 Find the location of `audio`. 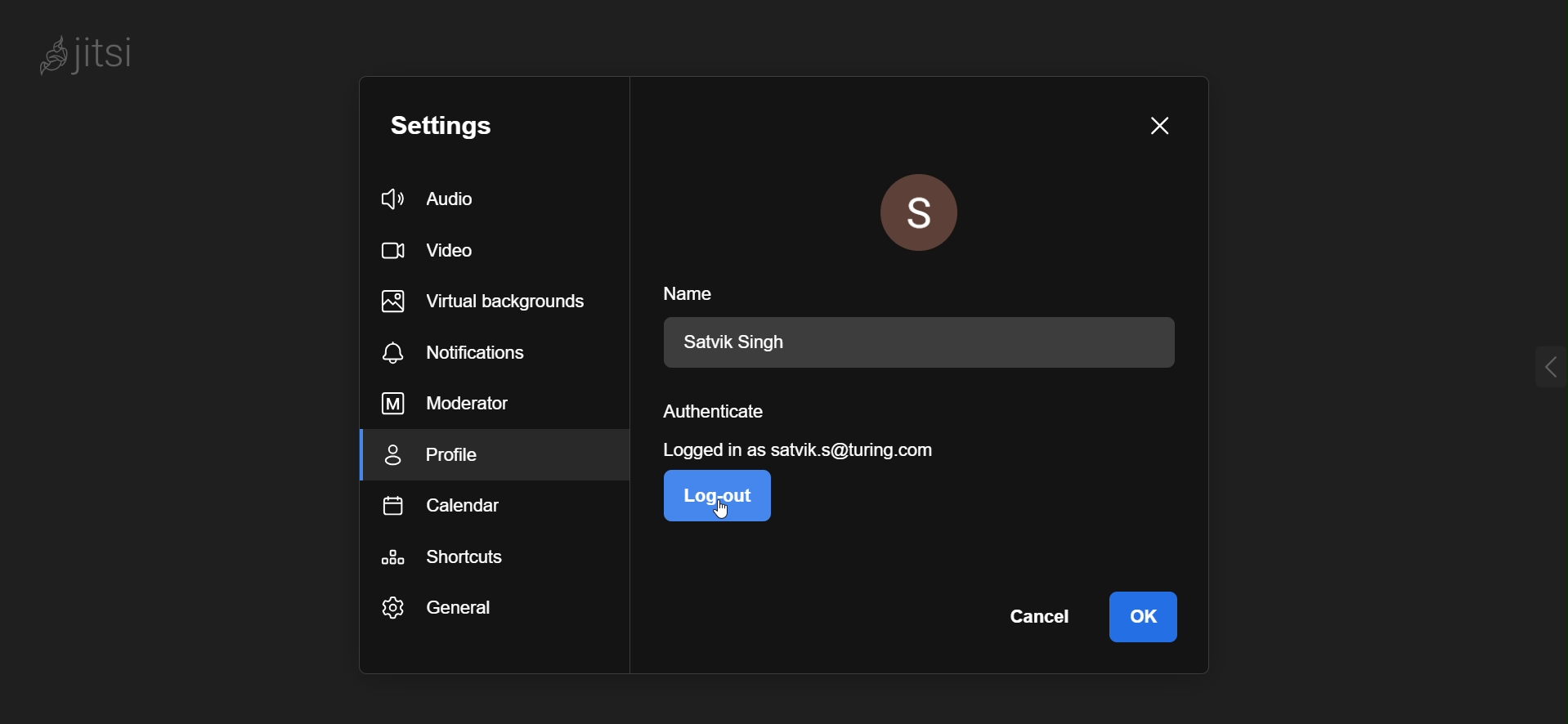

audio is located at coordinates (438, 202).